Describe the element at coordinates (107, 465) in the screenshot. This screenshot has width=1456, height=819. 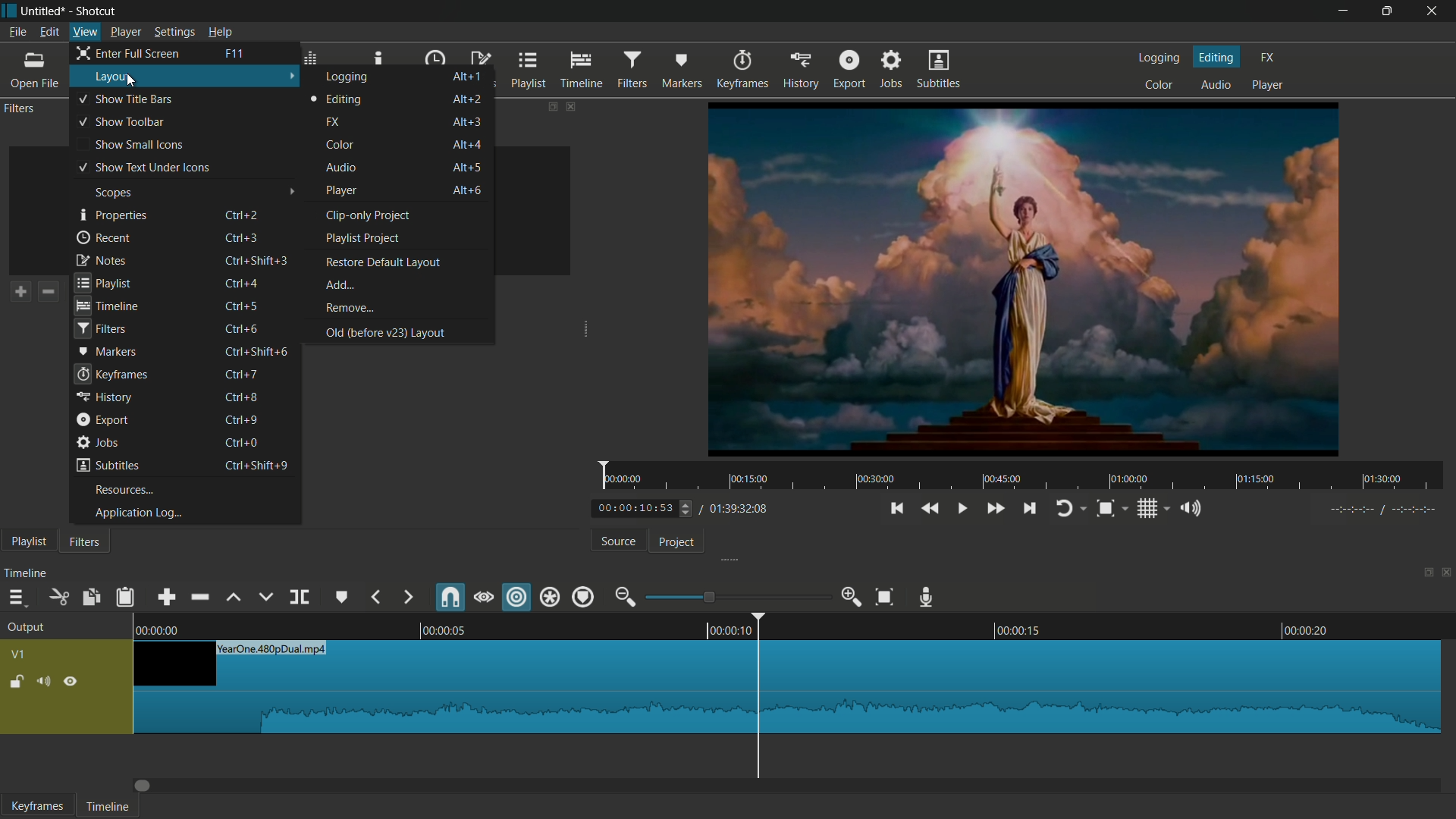
I see `subtitles` at that location.